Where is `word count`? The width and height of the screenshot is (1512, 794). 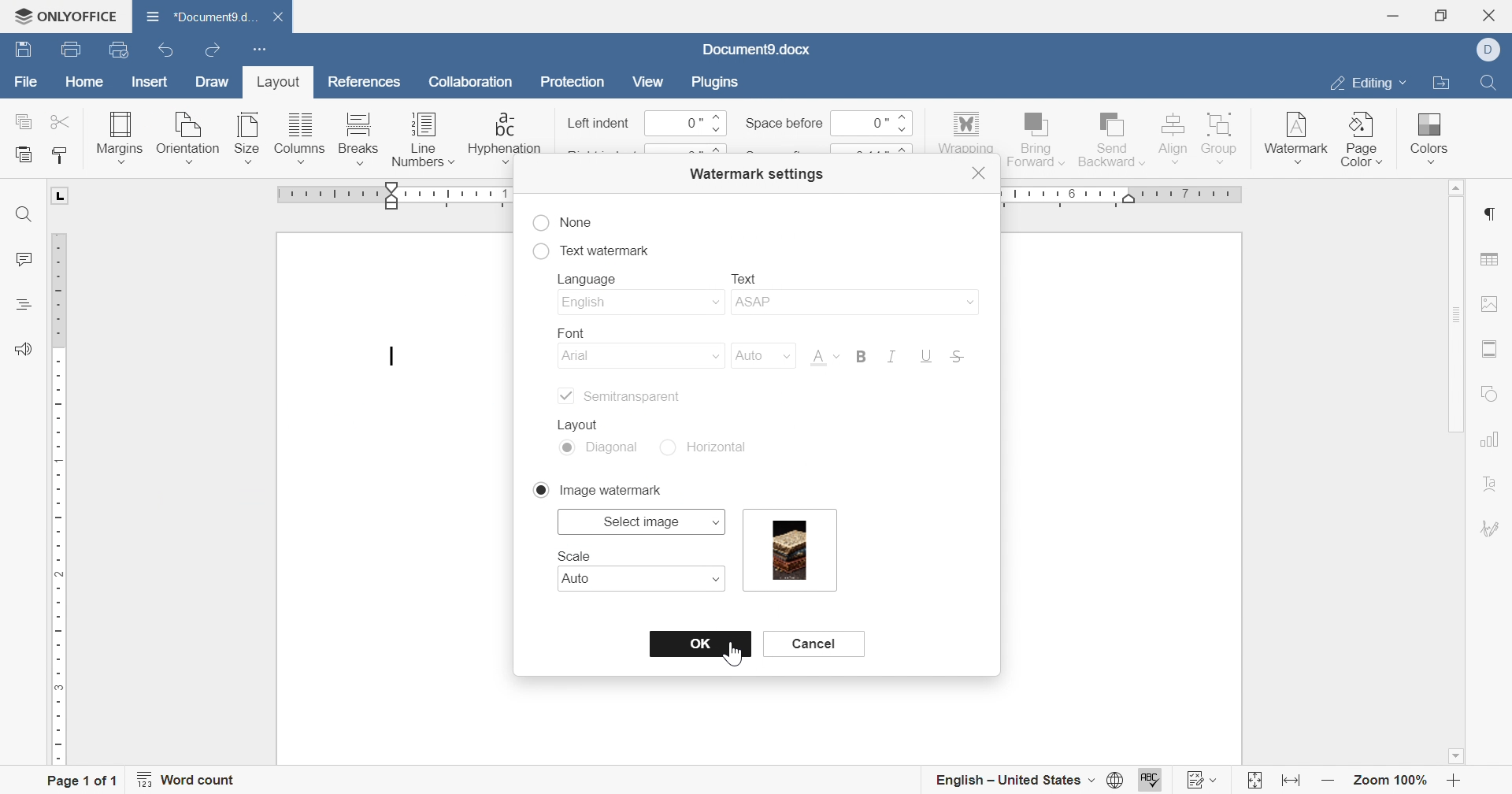
word count is located at coordinates (187, 780).